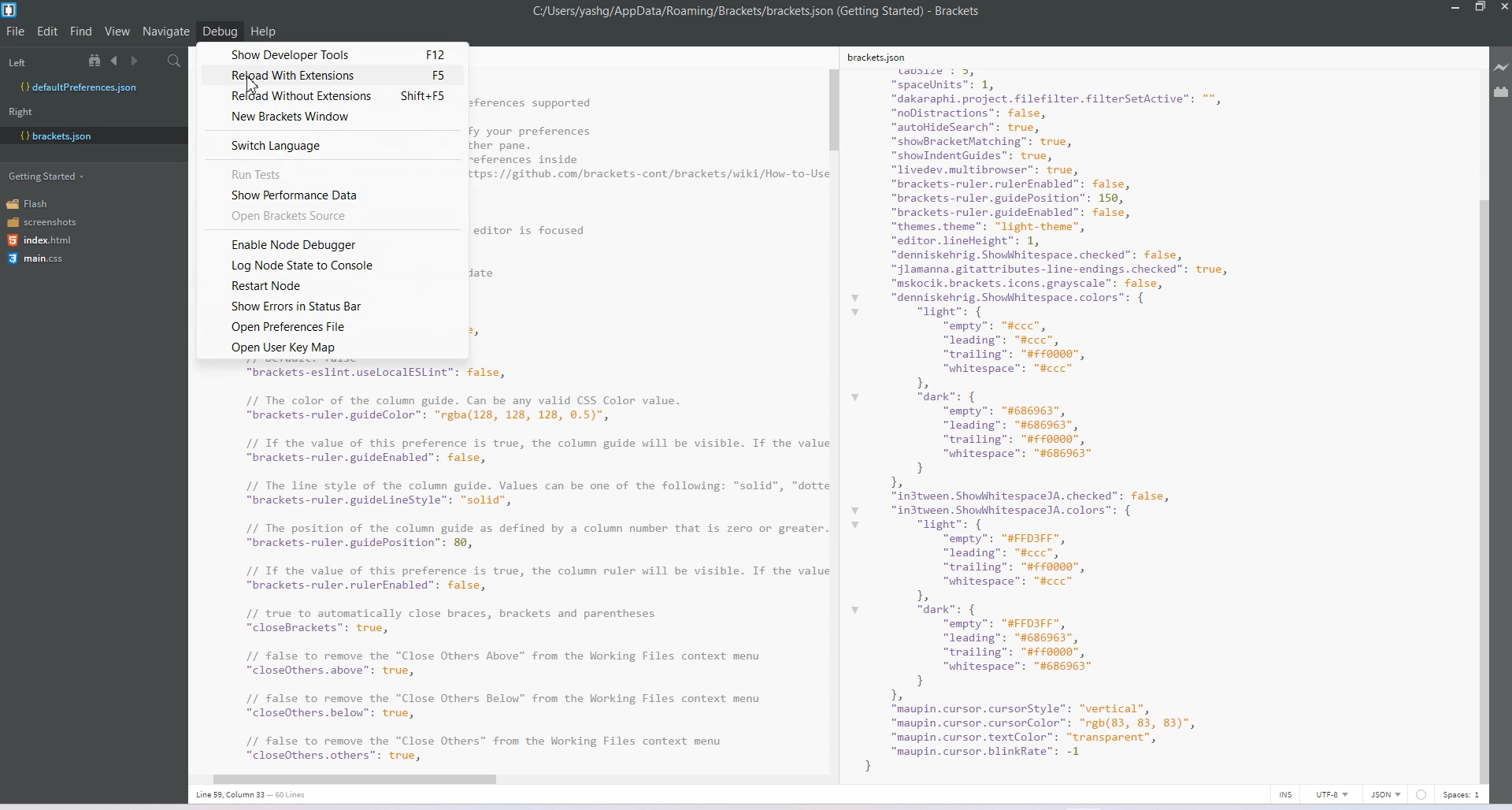  Describe the element at coordinates (333, 117) in the screenshot. I see `New Brackets Window` at that location.